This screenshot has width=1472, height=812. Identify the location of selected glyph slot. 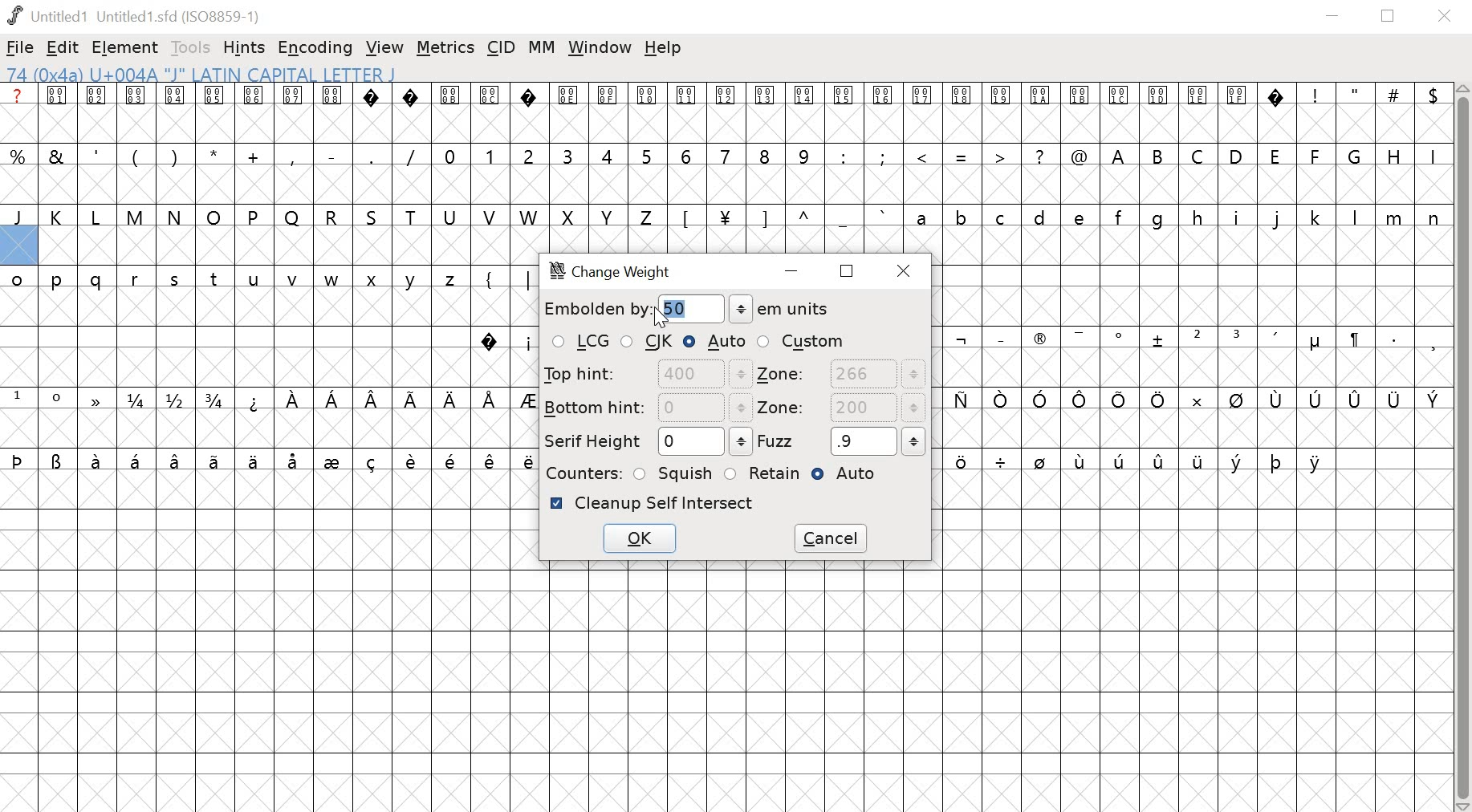
(18, 246).